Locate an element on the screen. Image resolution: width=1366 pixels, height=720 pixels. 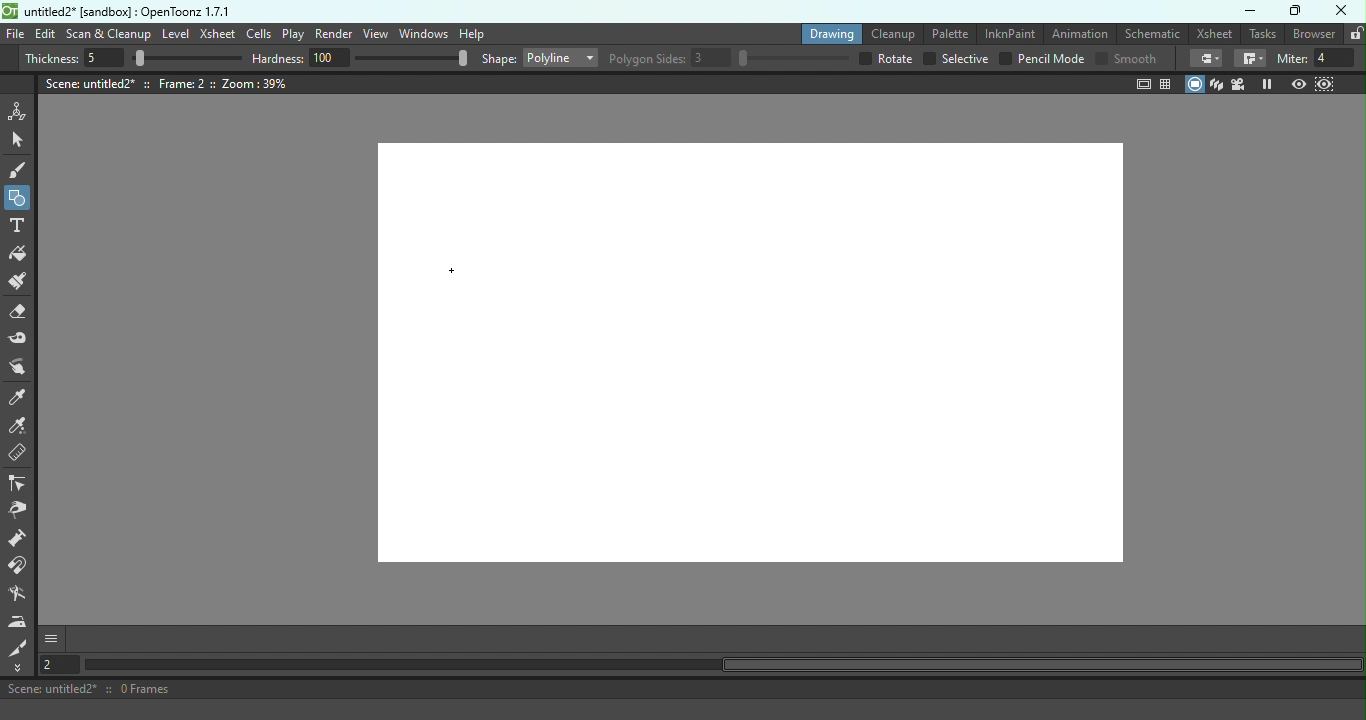
Schematic is located at coordinates (1151, 32).